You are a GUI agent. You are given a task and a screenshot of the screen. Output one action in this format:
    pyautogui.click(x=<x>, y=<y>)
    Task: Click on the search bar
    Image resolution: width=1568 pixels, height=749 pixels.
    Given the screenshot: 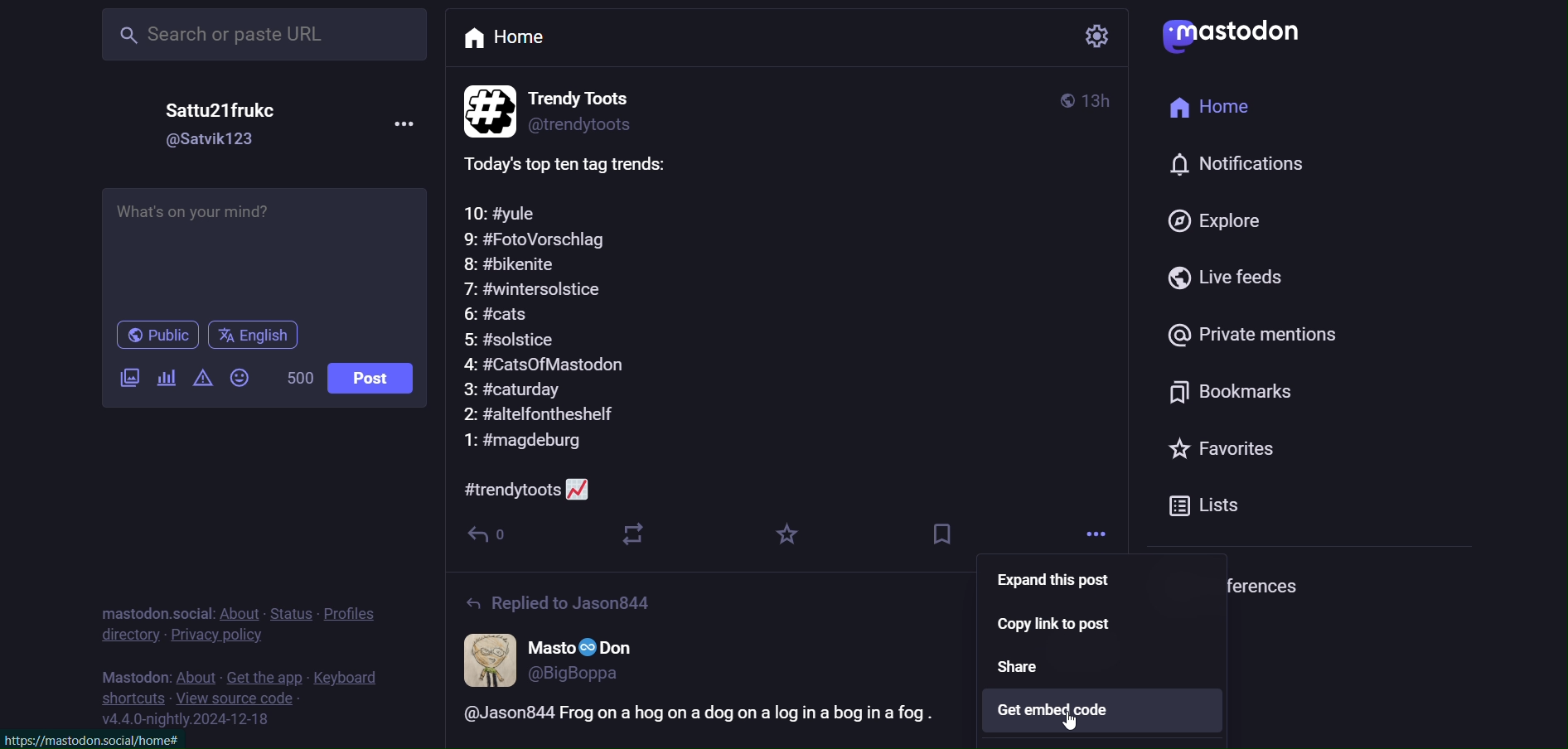 What is the action you would take?
    pyautogui.click(x=266, y=34)
    